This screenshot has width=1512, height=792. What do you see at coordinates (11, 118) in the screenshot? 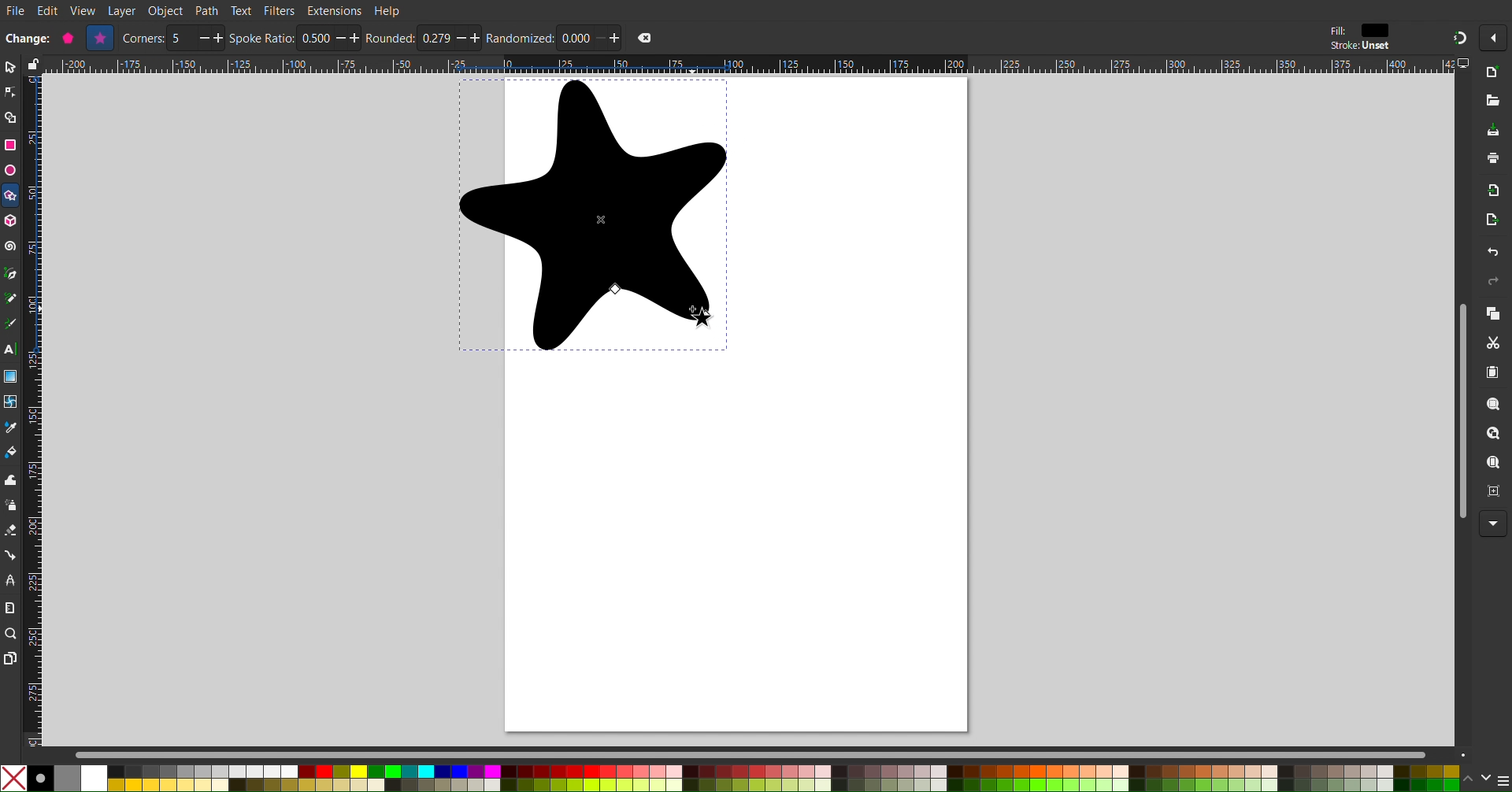
I see `Shape Builder Tool` at bounding box center [11, 118].